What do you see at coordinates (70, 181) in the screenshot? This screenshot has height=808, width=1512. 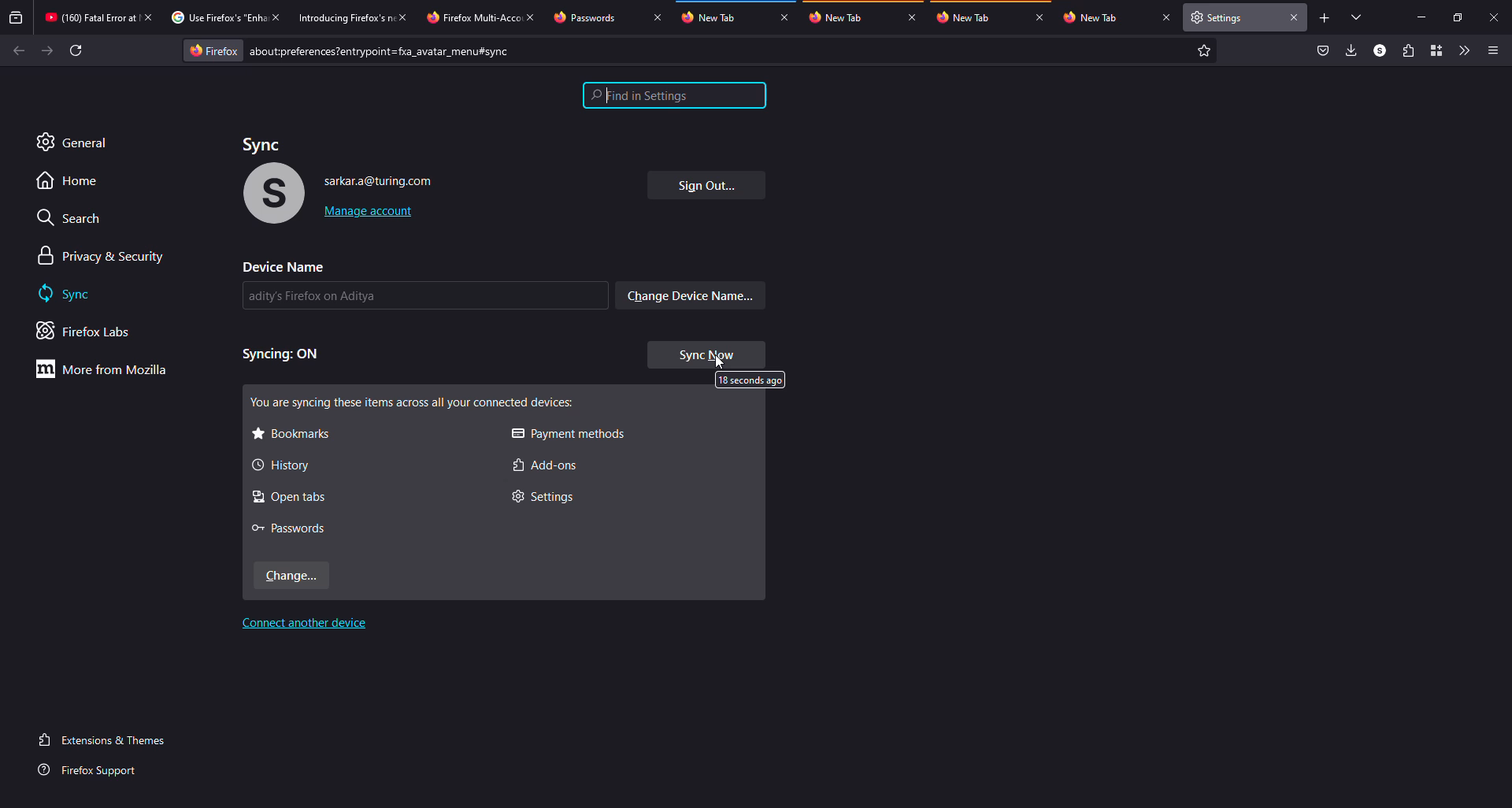 I see `home` at bounding box center [70, 181].